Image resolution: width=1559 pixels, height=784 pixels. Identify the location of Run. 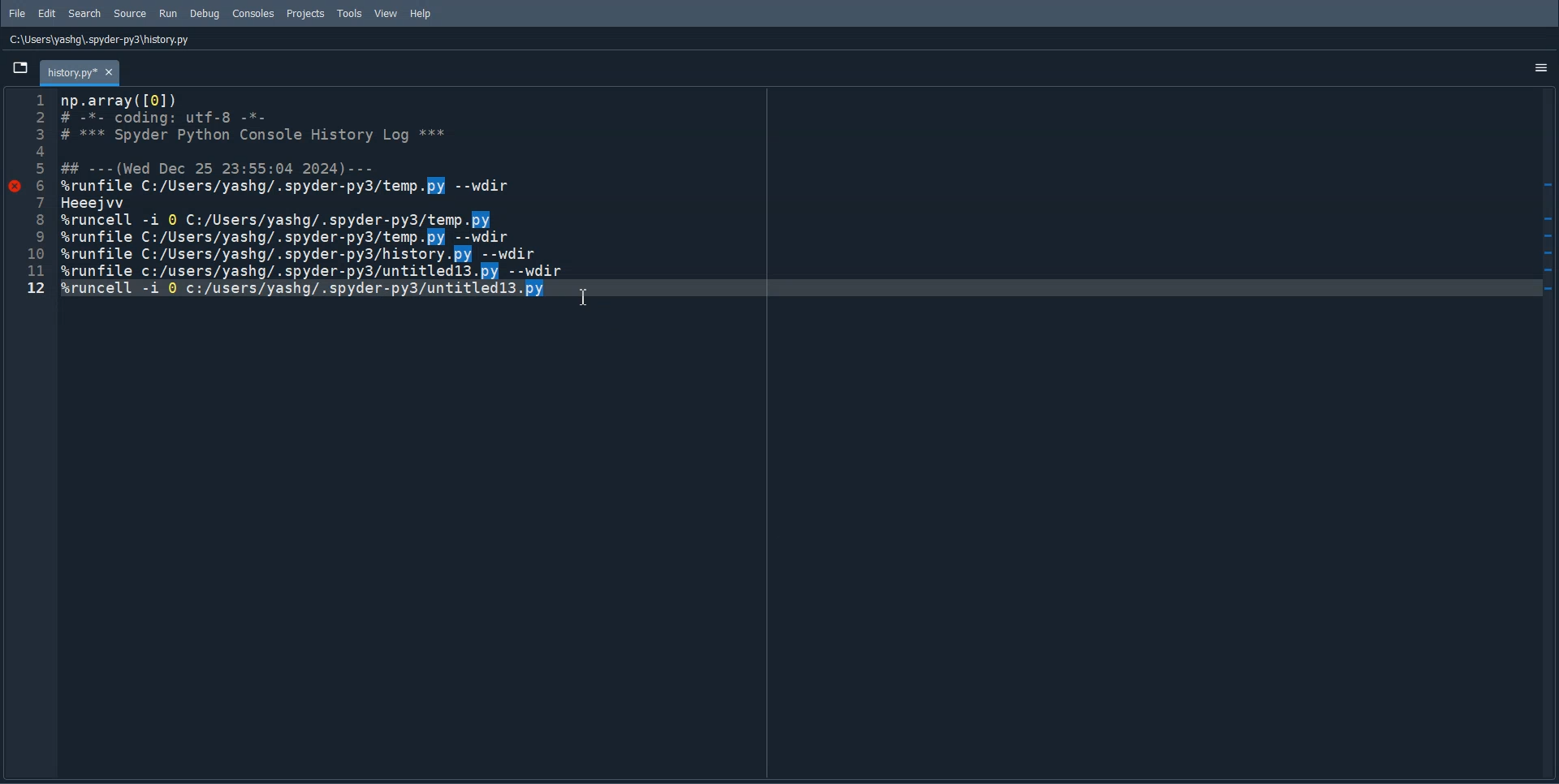
(168, 14).